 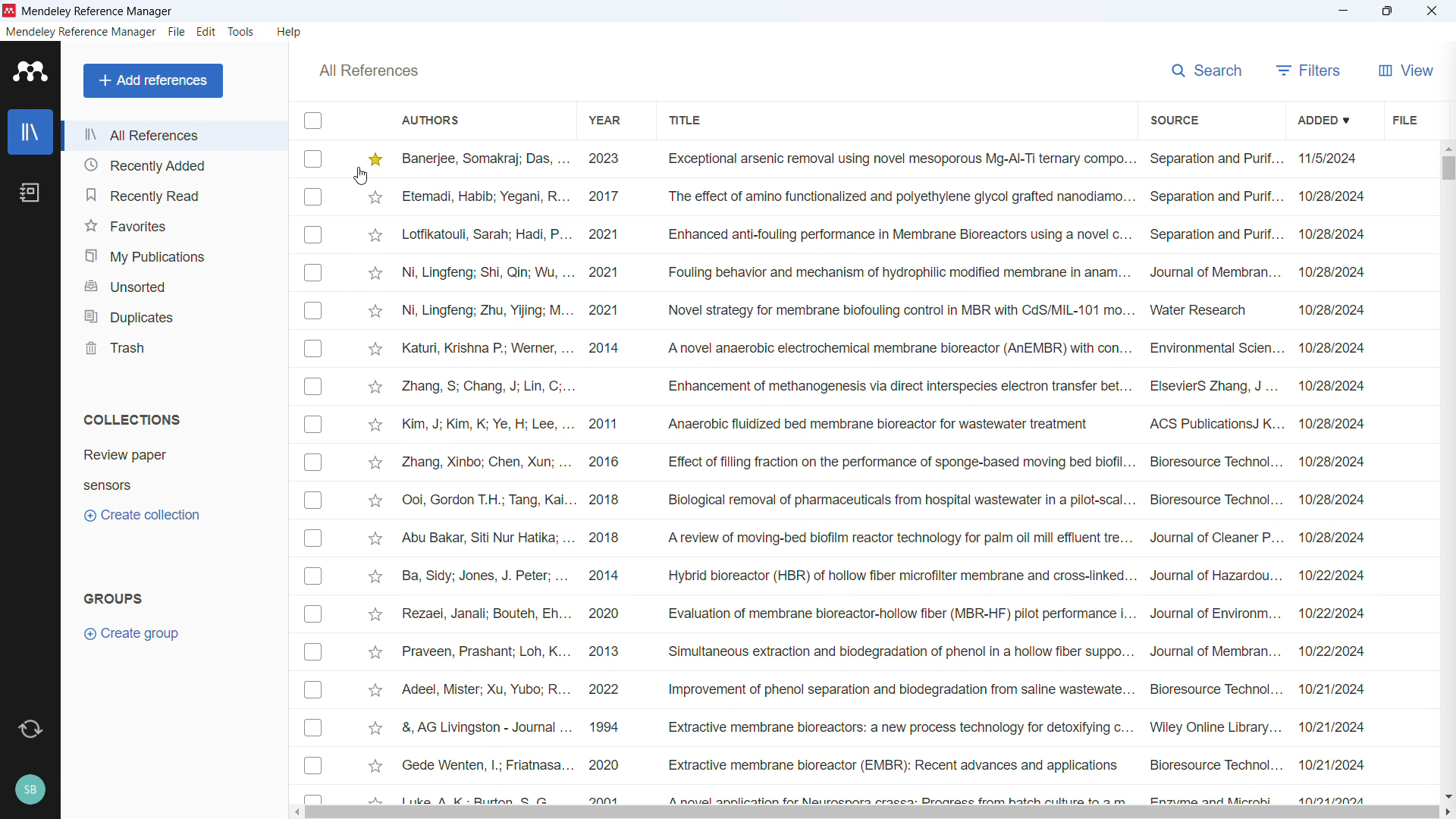 What do you see at coordinates (174, 283) in the screenshot?
I see `Unsorted ` at bounding box center [174, 283].